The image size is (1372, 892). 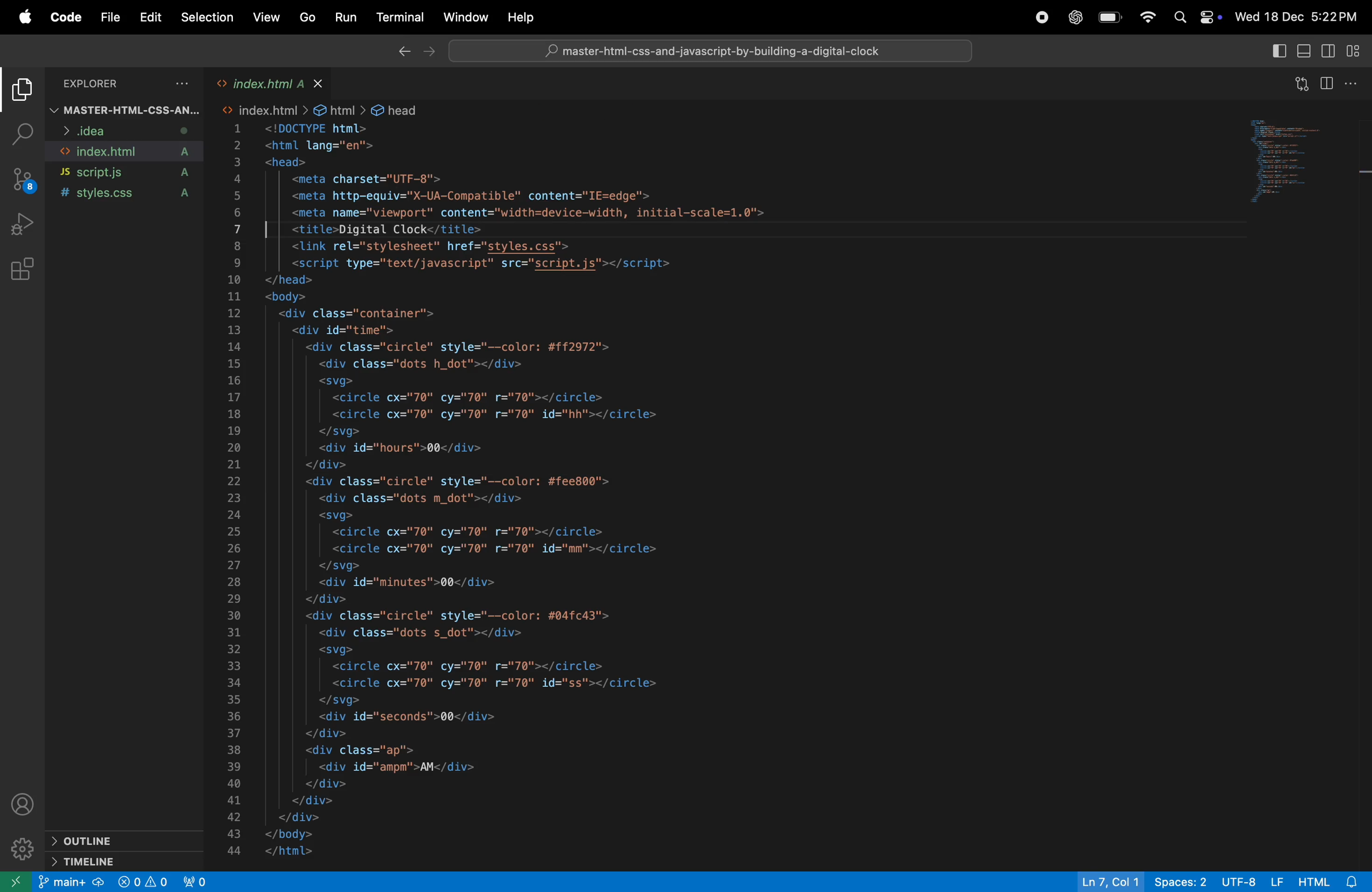 I want to click on go, so click(x=309, y=18).